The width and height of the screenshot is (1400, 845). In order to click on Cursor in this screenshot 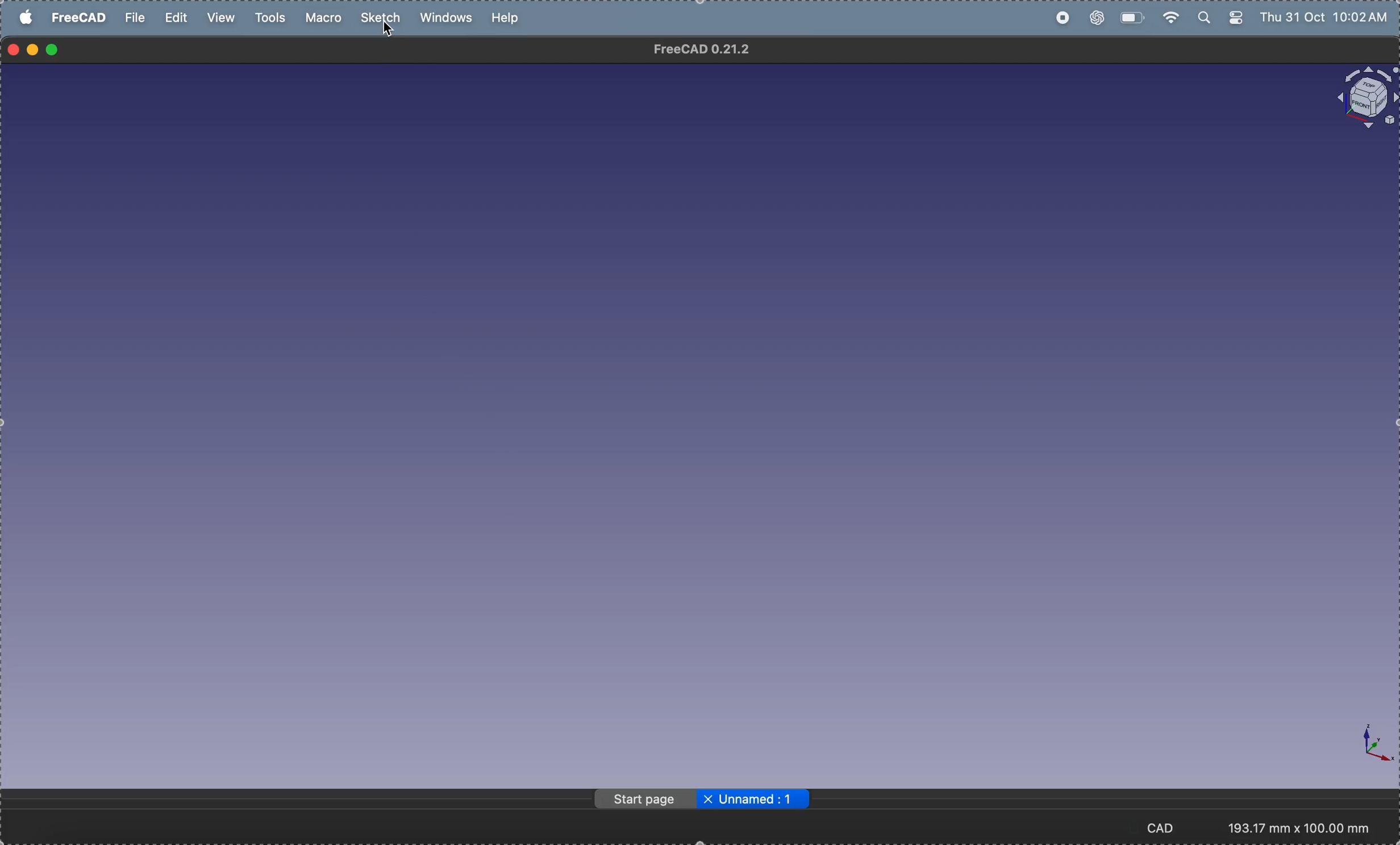, I will do `click(389, 32)`.